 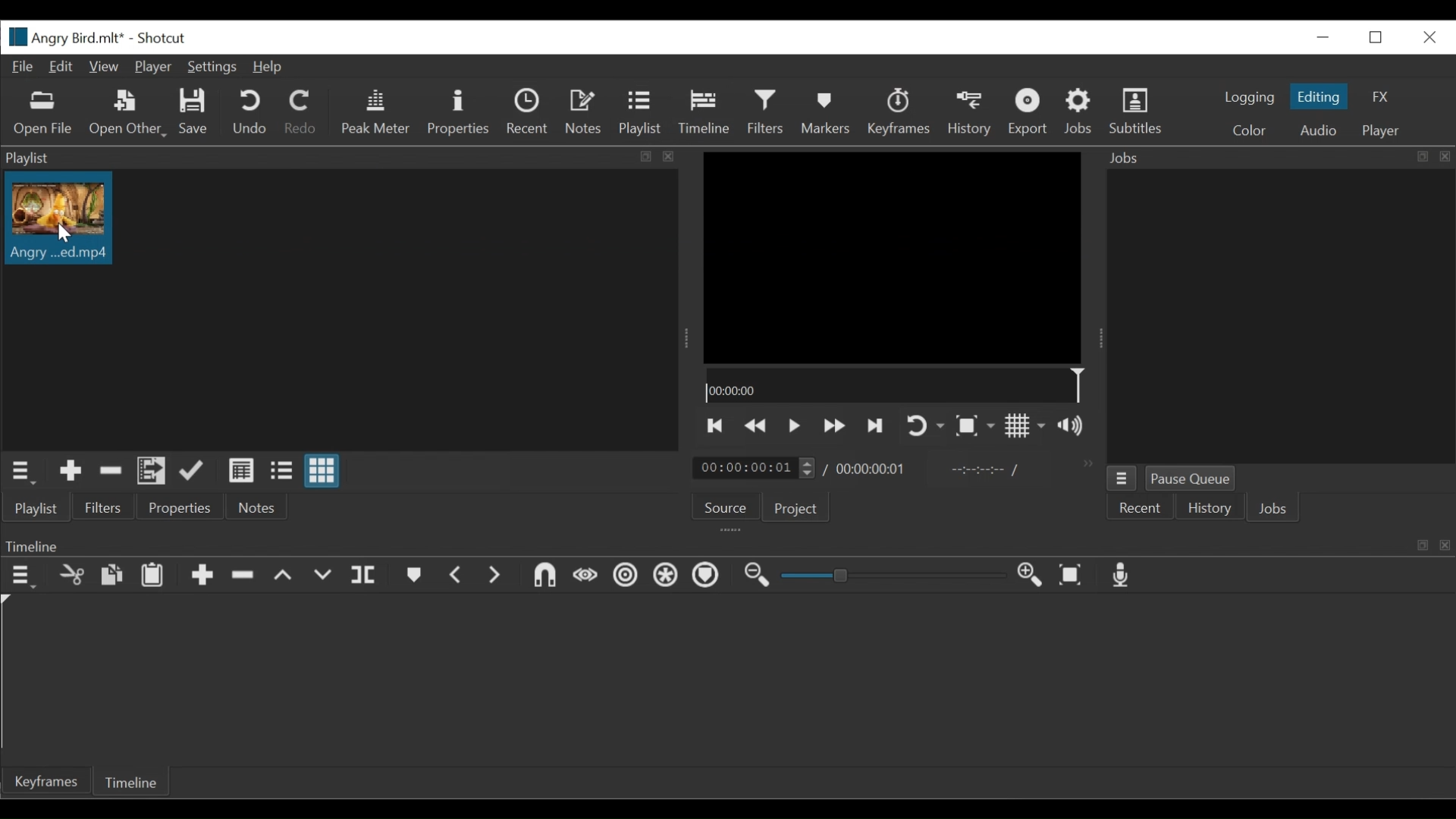 I want to click on cut, so click(x=71, y=576).